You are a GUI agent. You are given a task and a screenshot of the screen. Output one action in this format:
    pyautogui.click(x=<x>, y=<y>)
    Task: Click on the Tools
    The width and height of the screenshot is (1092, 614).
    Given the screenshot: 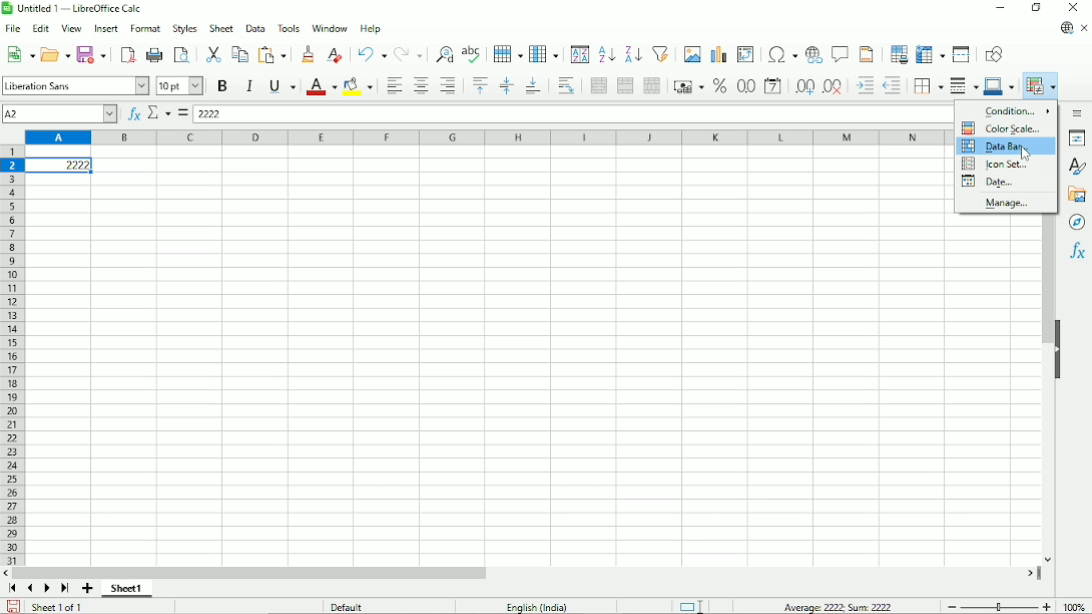 What is the action you would take?
    pyautogui.click(x=287, y=28)
    